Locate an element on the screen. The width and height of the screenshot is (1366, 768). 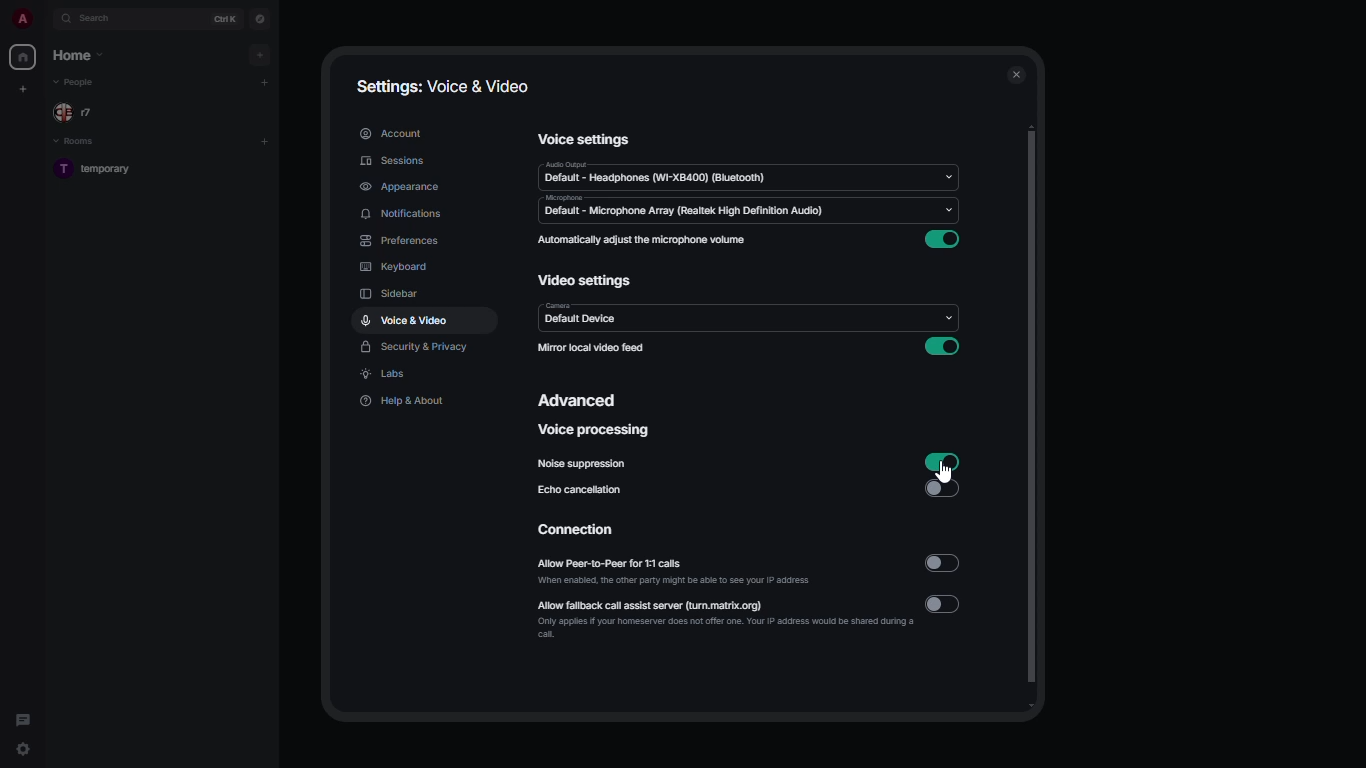
enabled is located at coordinates (942, 239).